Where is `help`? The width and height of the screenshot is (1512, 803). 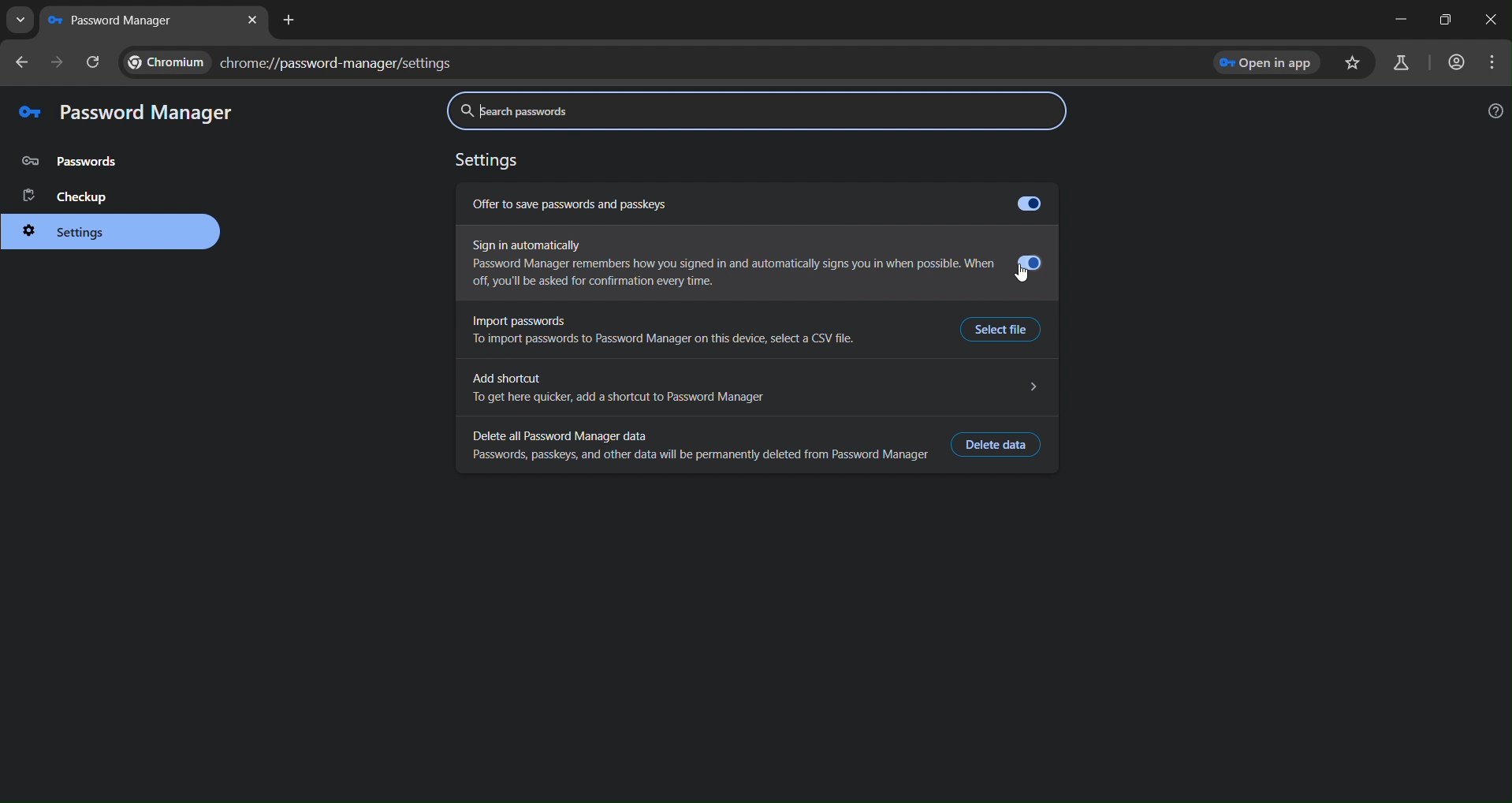 help is located at coordinates (1496, 110).